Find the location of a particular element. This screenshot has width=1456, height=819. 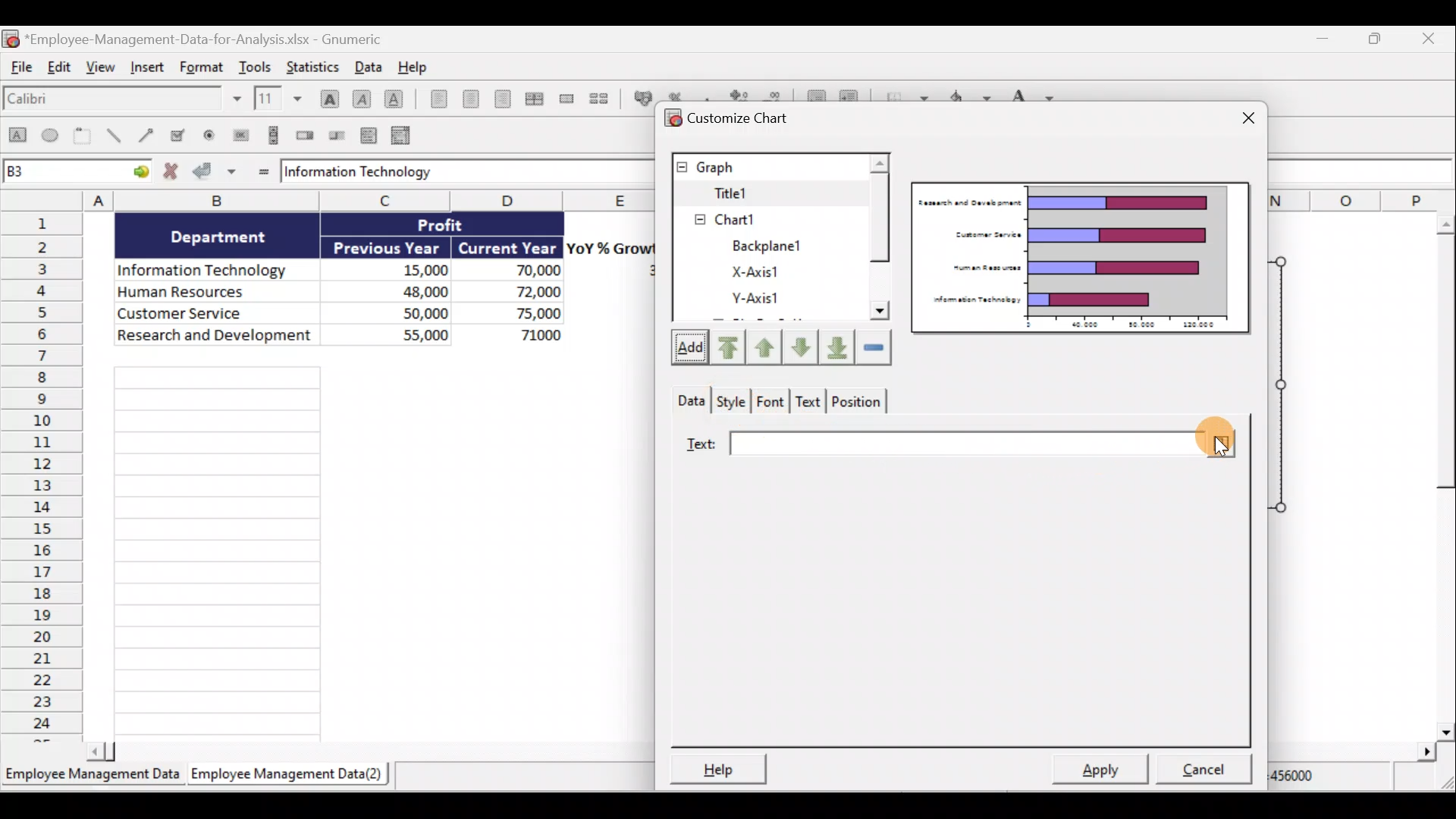

Gnumeric logo is located at coordinates (11, 38).